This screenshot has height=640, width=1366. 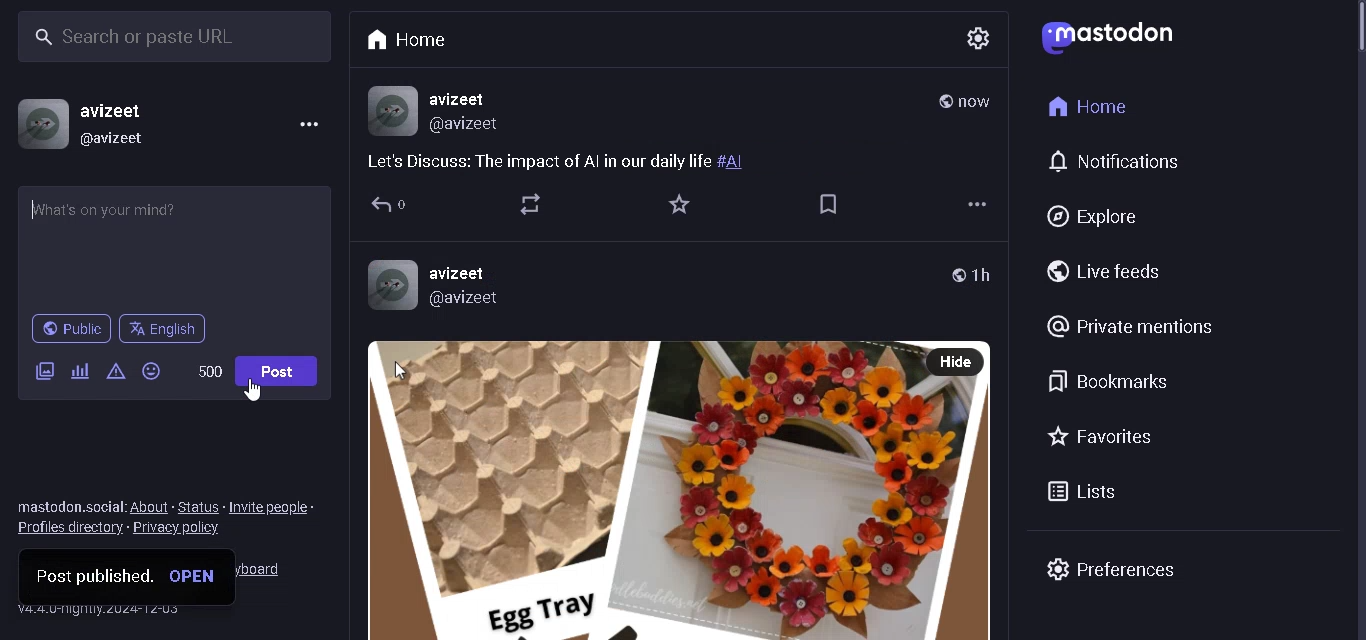 What do you see at coordinates (473, 300) in the screenshot?
I see `@username` at bounding box center [473, 300].